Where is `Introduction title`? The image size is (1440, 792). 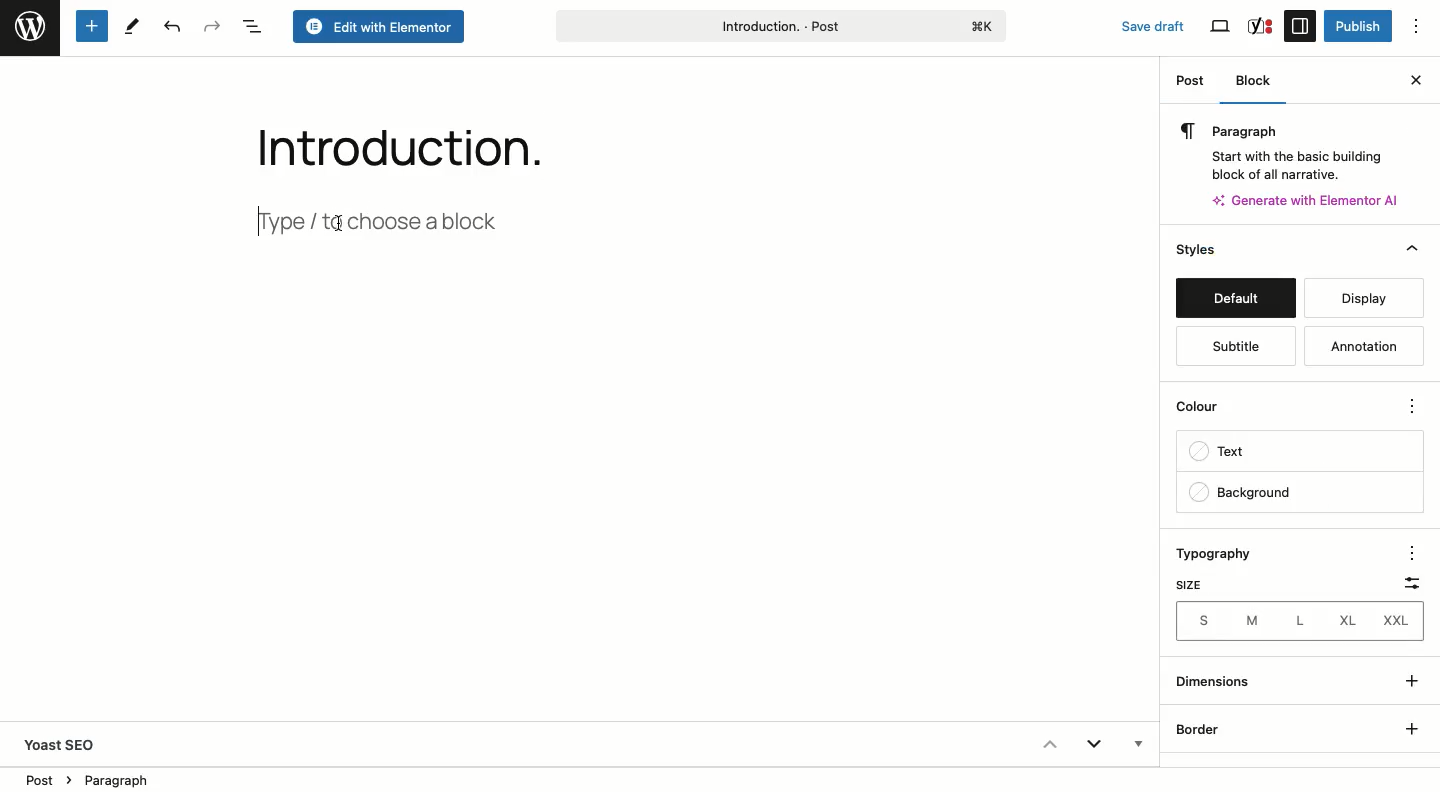 Introduction title is located at coordinates (780, 24).